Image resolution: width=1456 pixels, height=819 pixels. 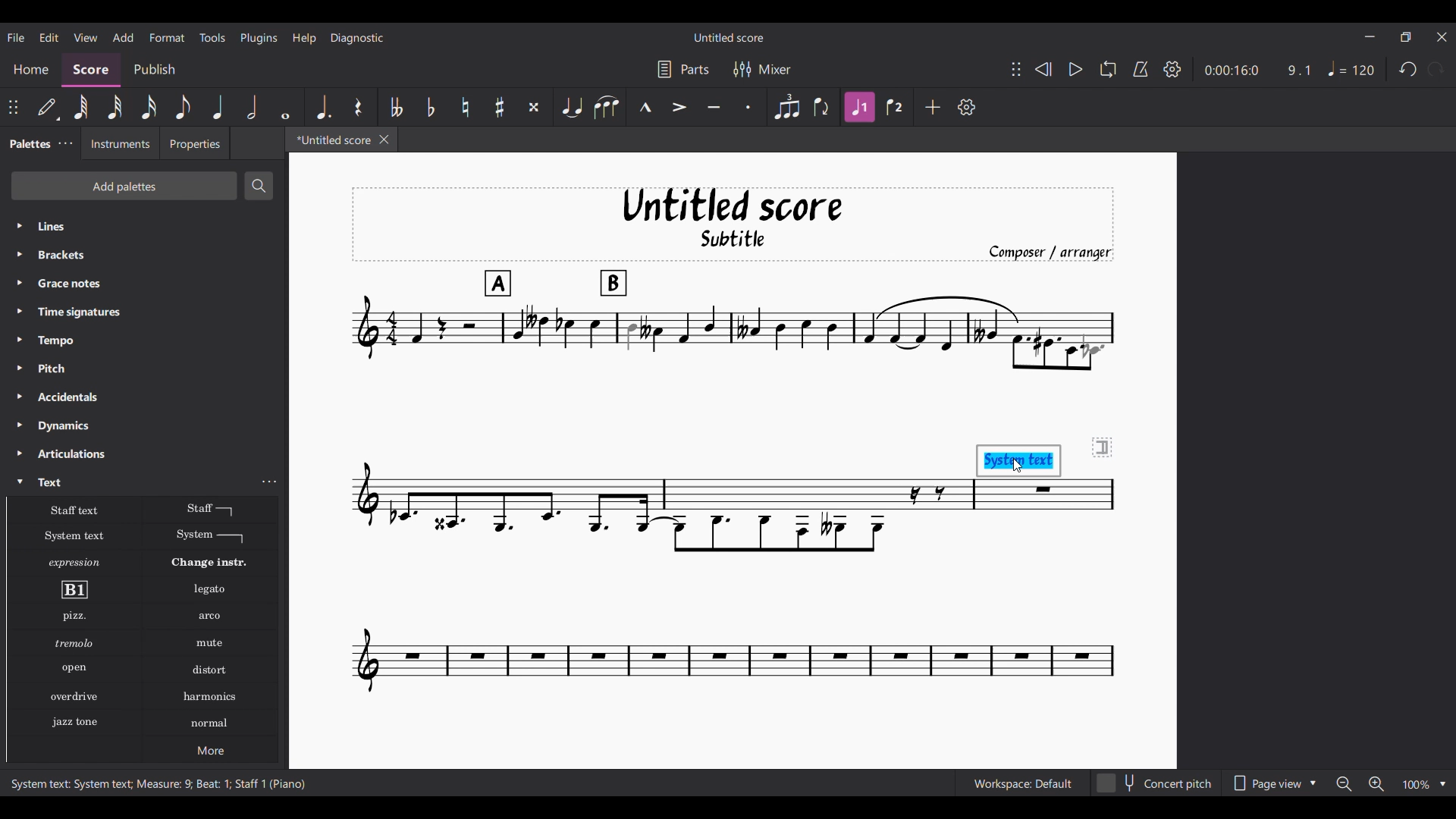 What do you see at coordinates (81, 107) in the screenshot?
I see `64th note` at bounding box center [81, 107].